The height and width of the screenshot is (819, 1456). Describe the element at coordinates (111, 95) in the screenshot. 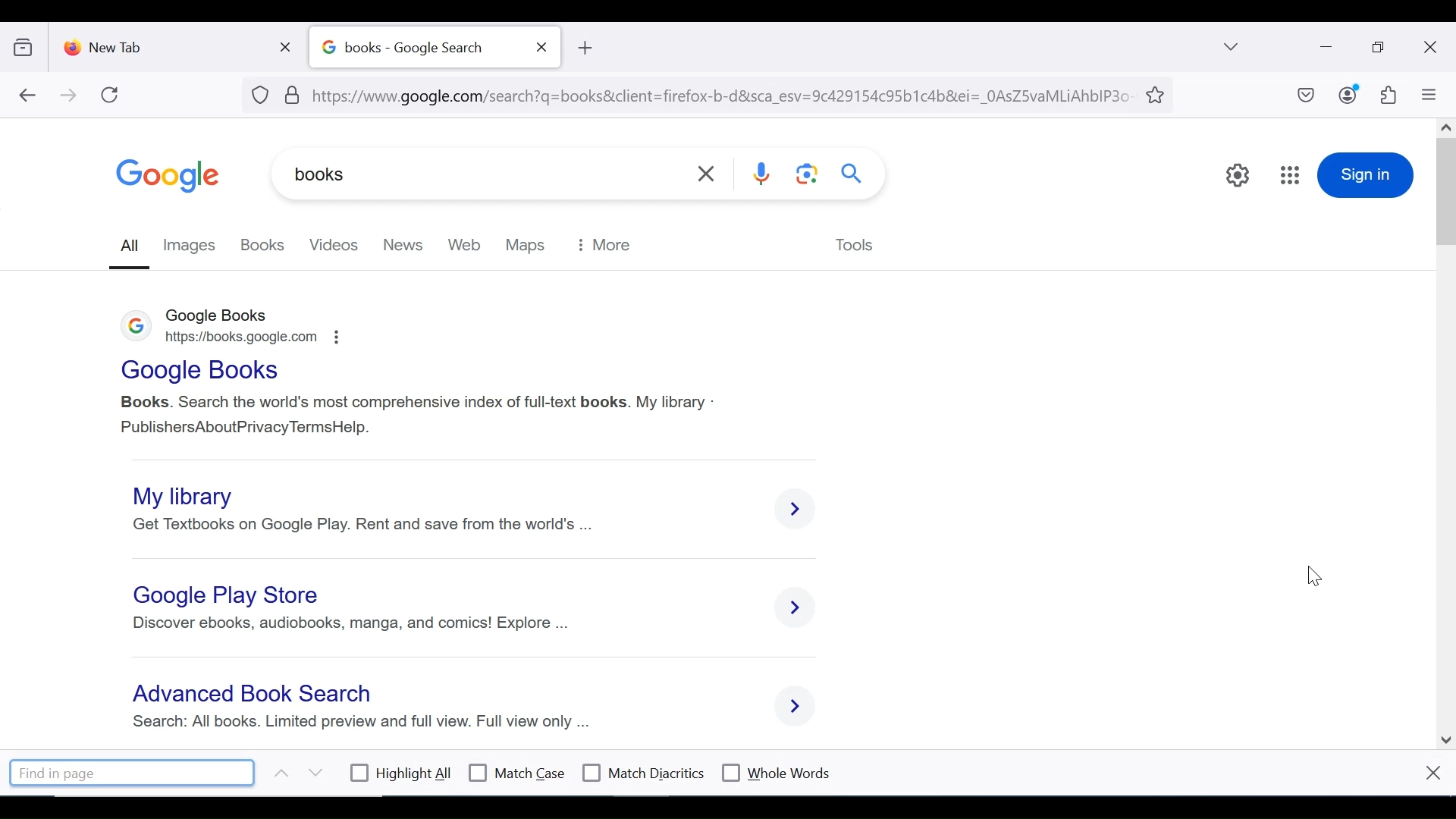

I see `refresh` at that location.